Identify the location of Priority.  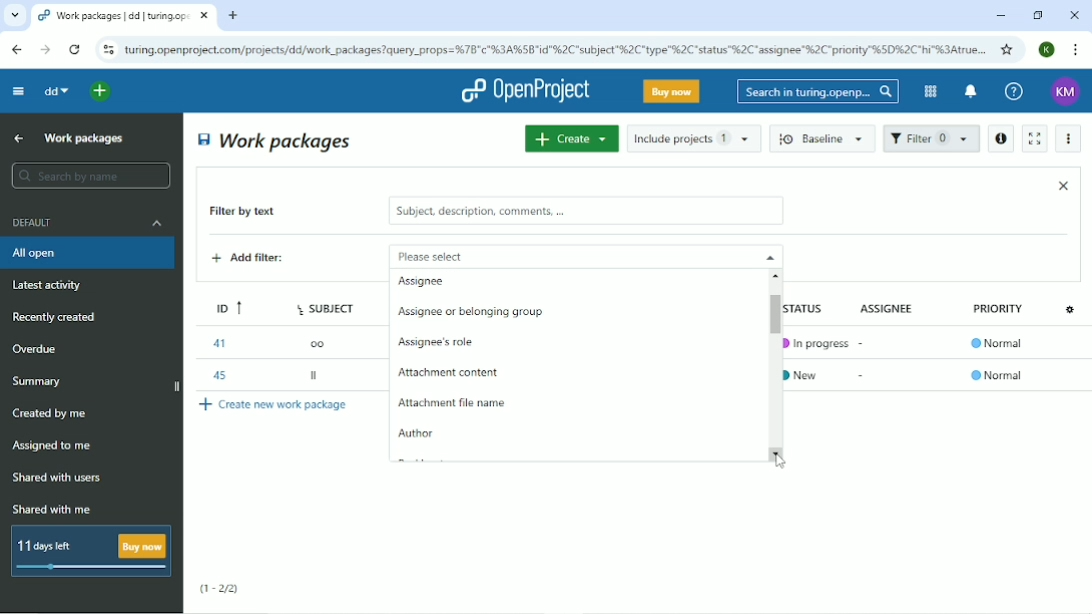
(1000, 314).